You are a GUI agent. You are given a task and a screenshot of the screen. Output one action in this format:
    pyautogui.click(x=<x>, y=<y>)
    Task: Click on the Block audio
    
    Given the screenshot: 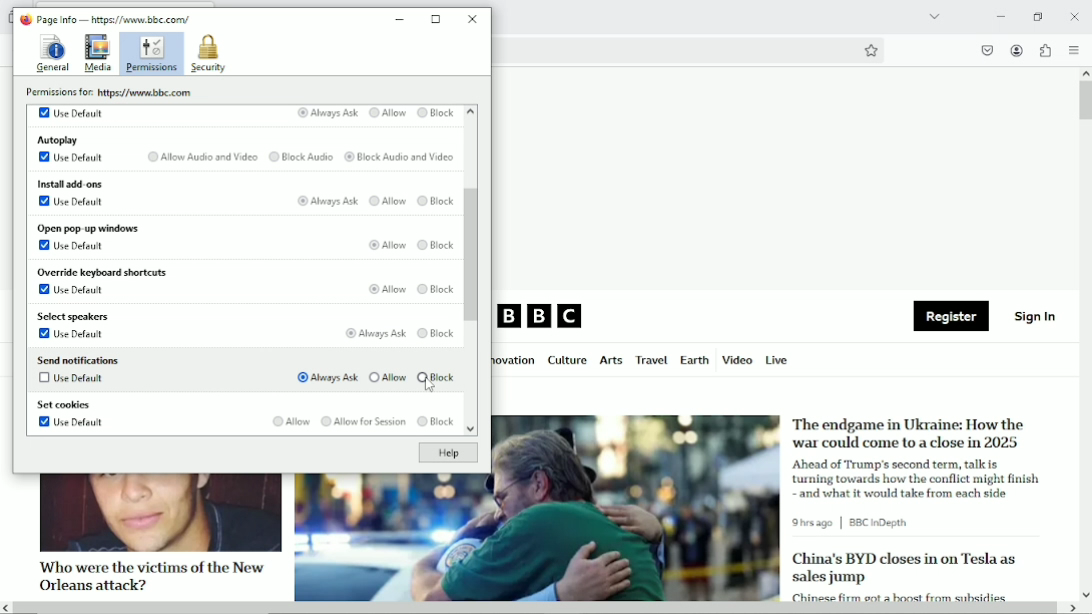 What is the action you would take?
    pyautogui.click(x=300, y=157)
    